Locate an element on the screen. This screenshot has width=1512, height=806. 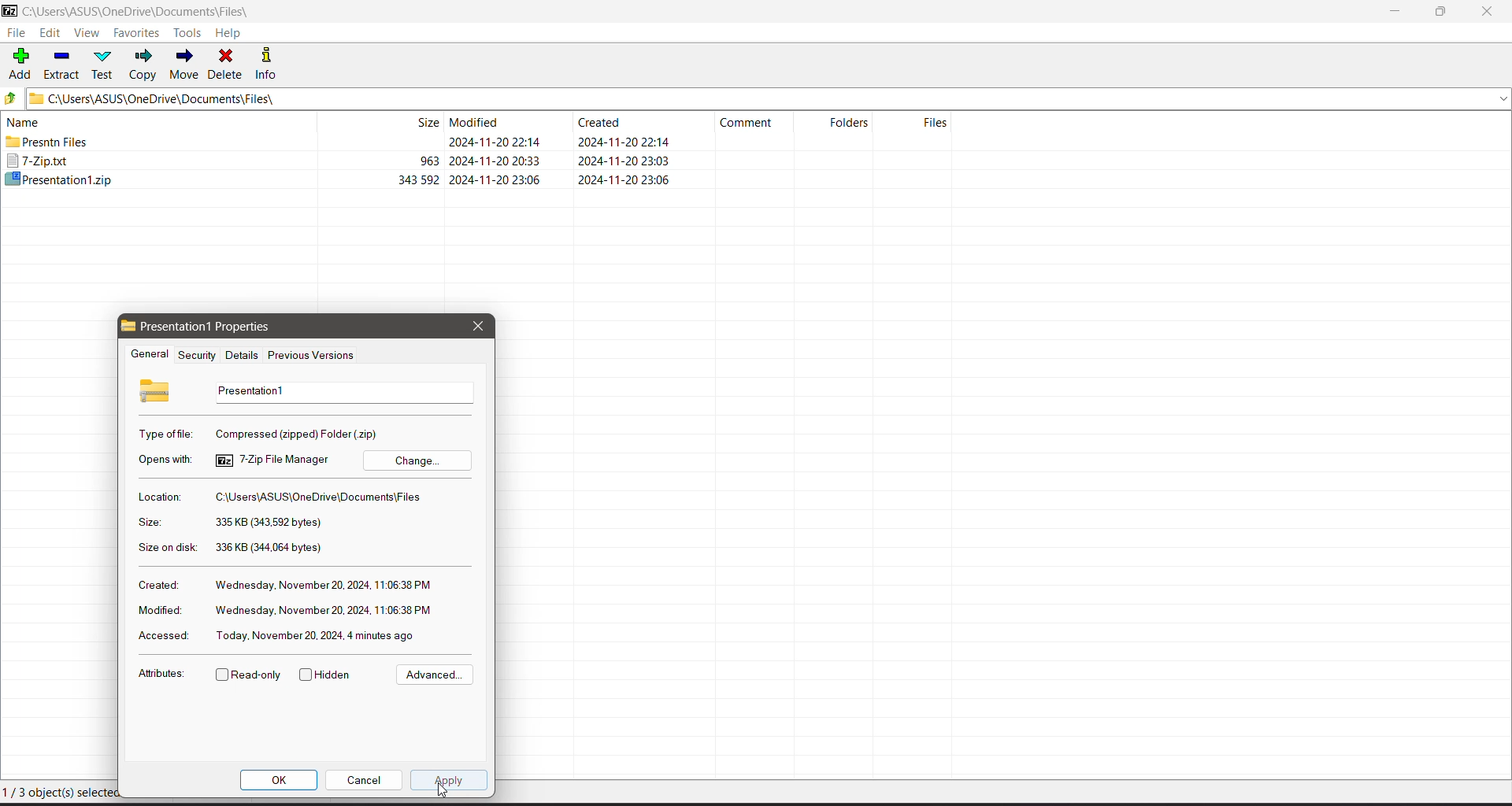
Move is located at coordinates (184, 65).